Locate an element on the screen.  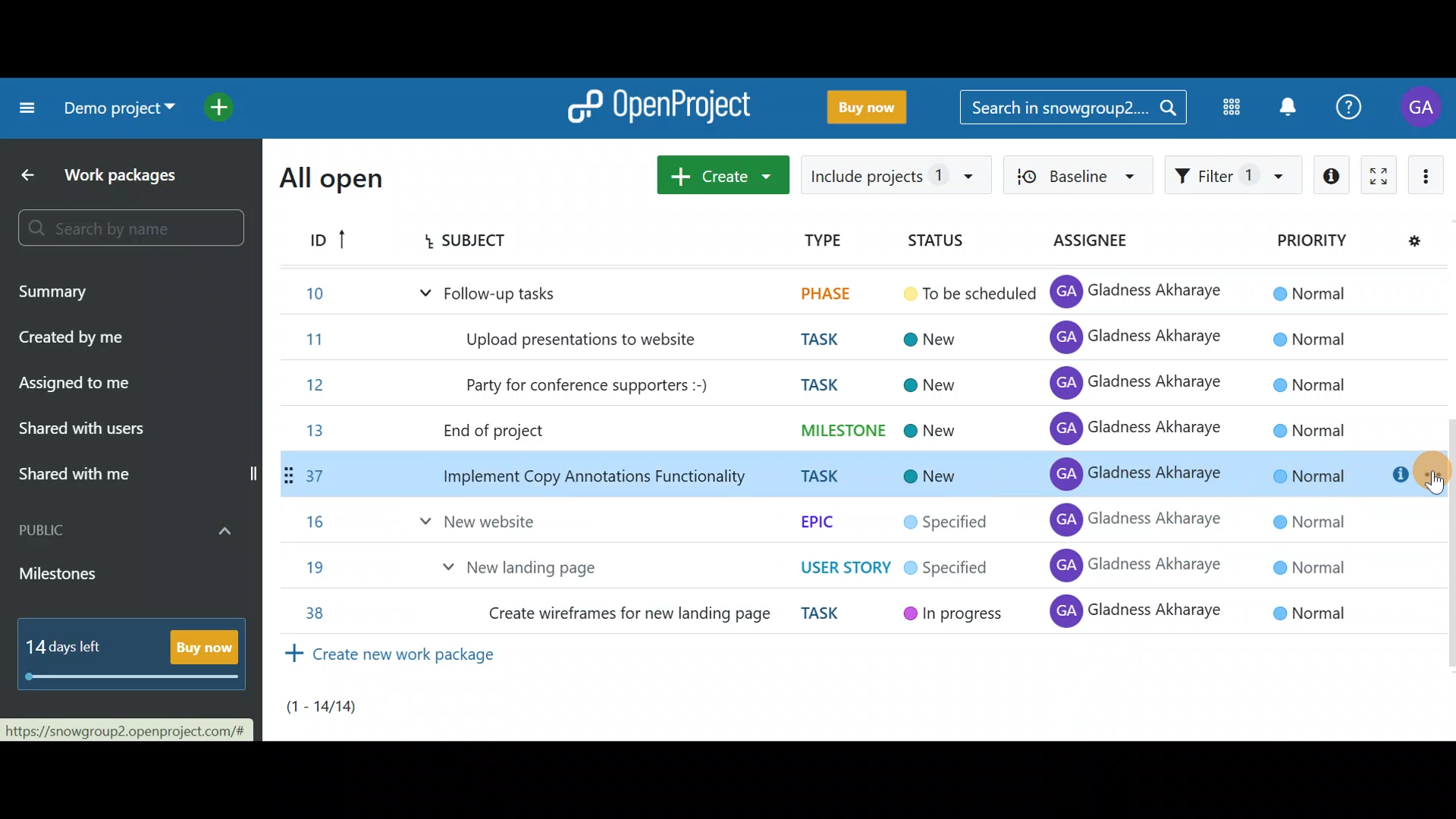
TASK is located at coordinates (809, 338).